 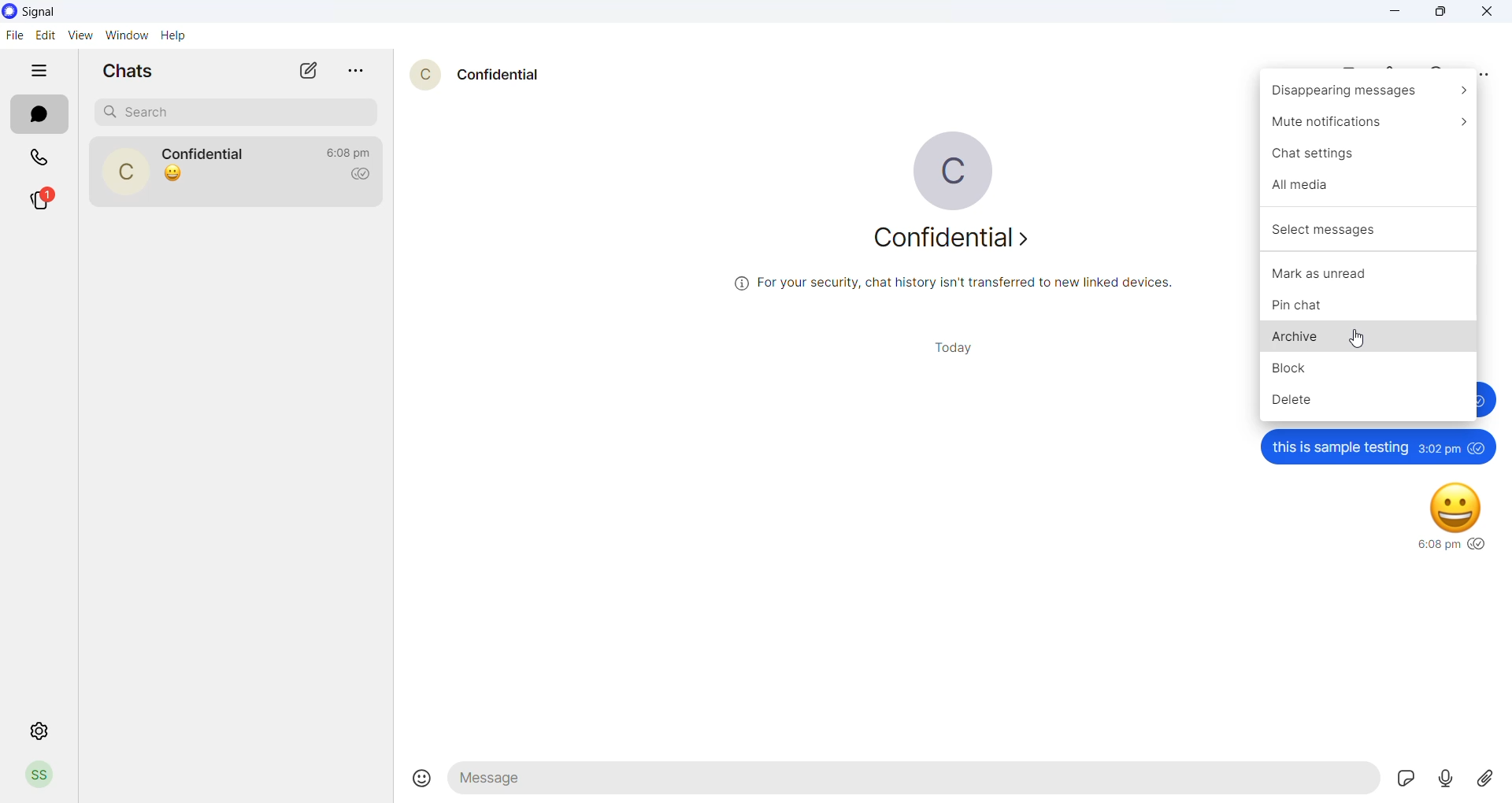 I want to click on sticker, so click(x=1403, y=779).